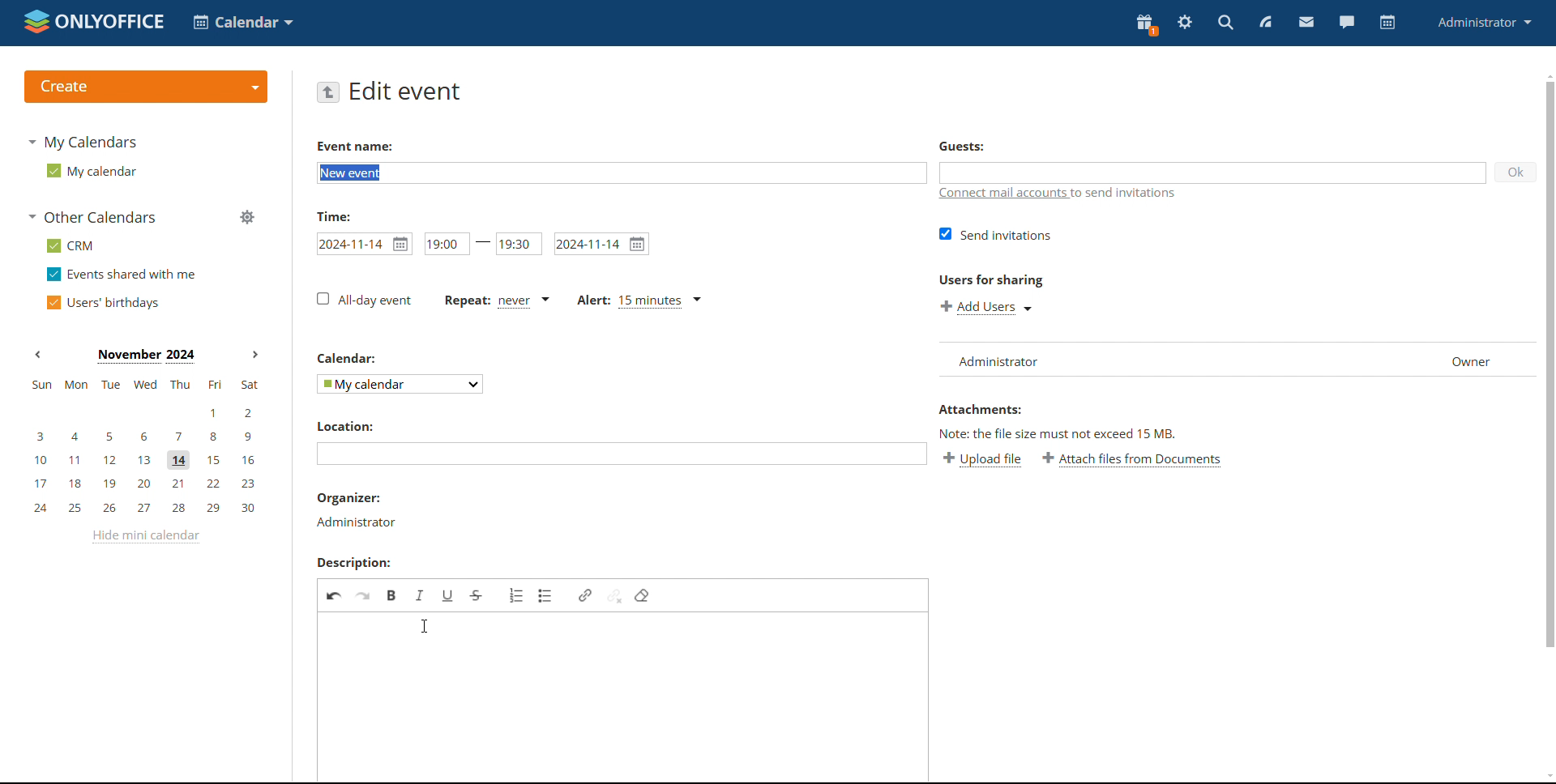 The width and height of the screenshot is (1556, 784). I want to click on add event name, so click(621, 173).